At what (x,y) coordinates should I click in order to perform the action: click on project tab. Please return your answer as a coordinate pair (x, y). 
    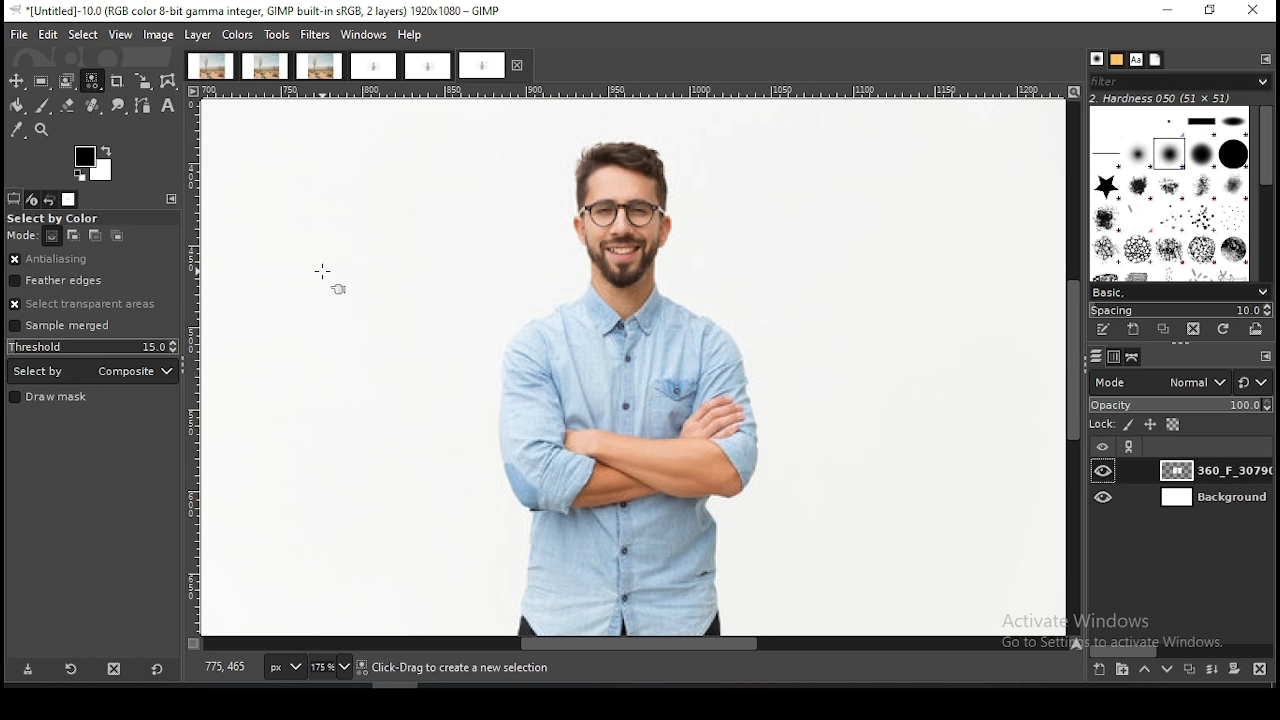
    Looking at the image, I should click on (428, 67).